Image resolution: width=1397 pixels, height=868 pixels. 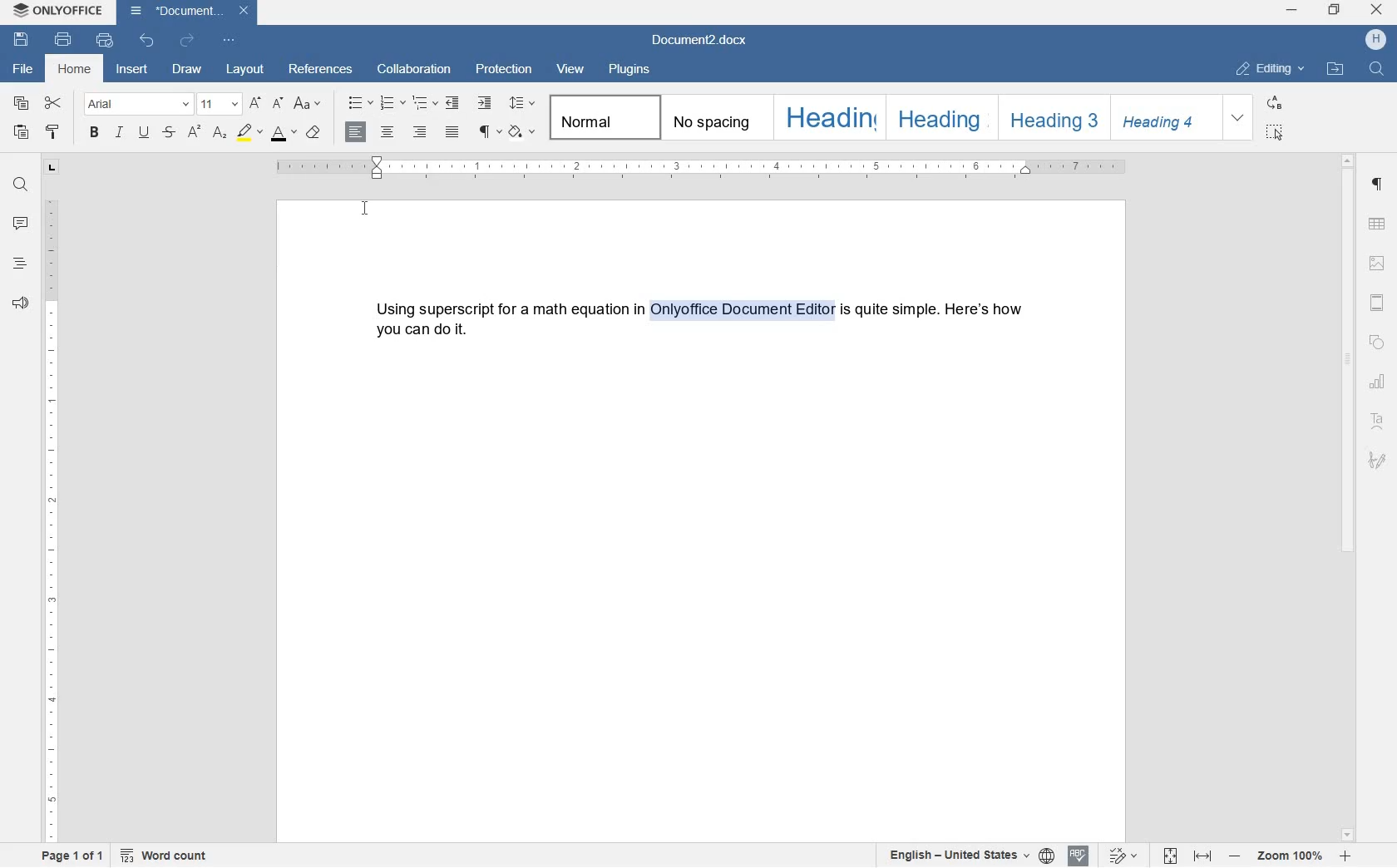 What do you see at coordinates (1164, 118) in the screenshot?
I see `HEADING 4` at bounding box center [1164, 118].